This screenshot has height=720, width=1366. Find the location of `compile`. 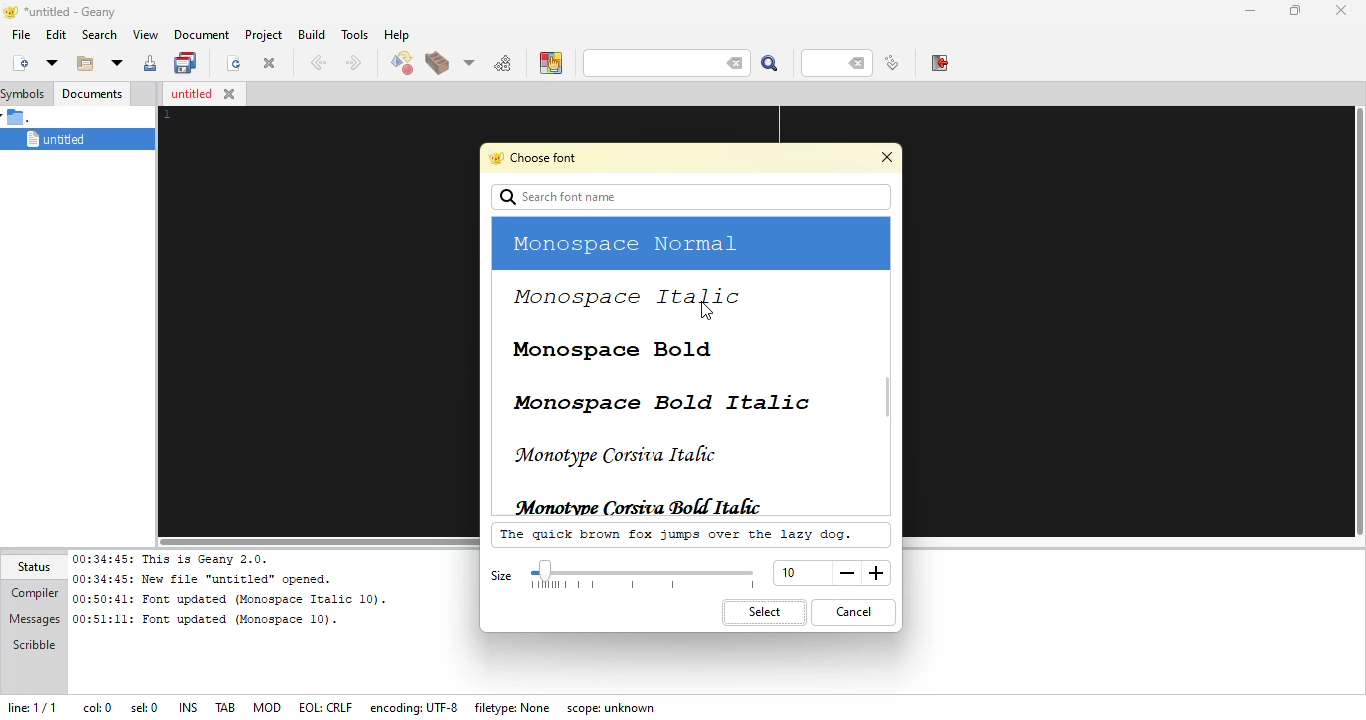

compile is located at coordinates (401, 64).